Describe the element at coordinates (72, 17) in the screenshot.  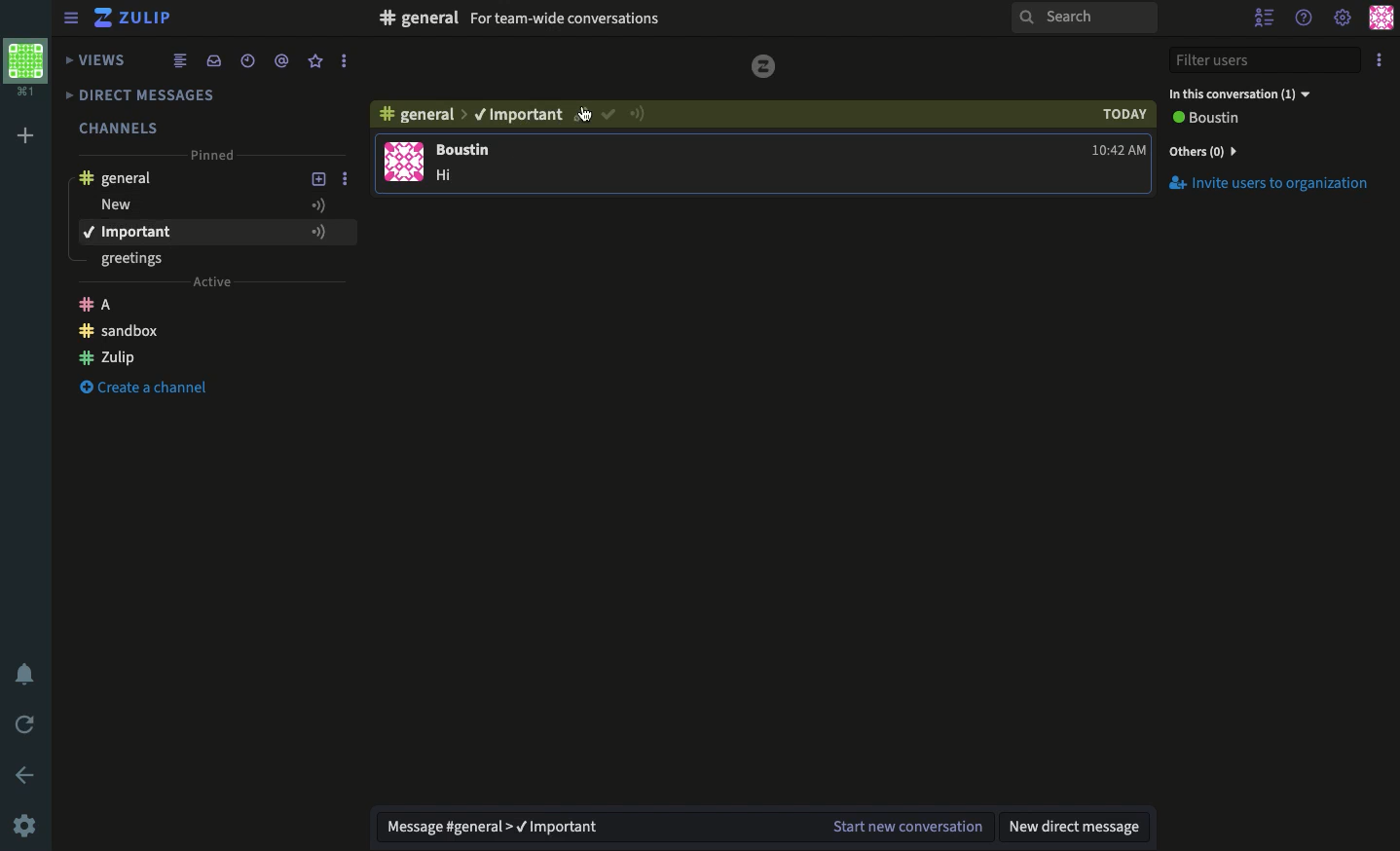
I see `Menu` at that location.